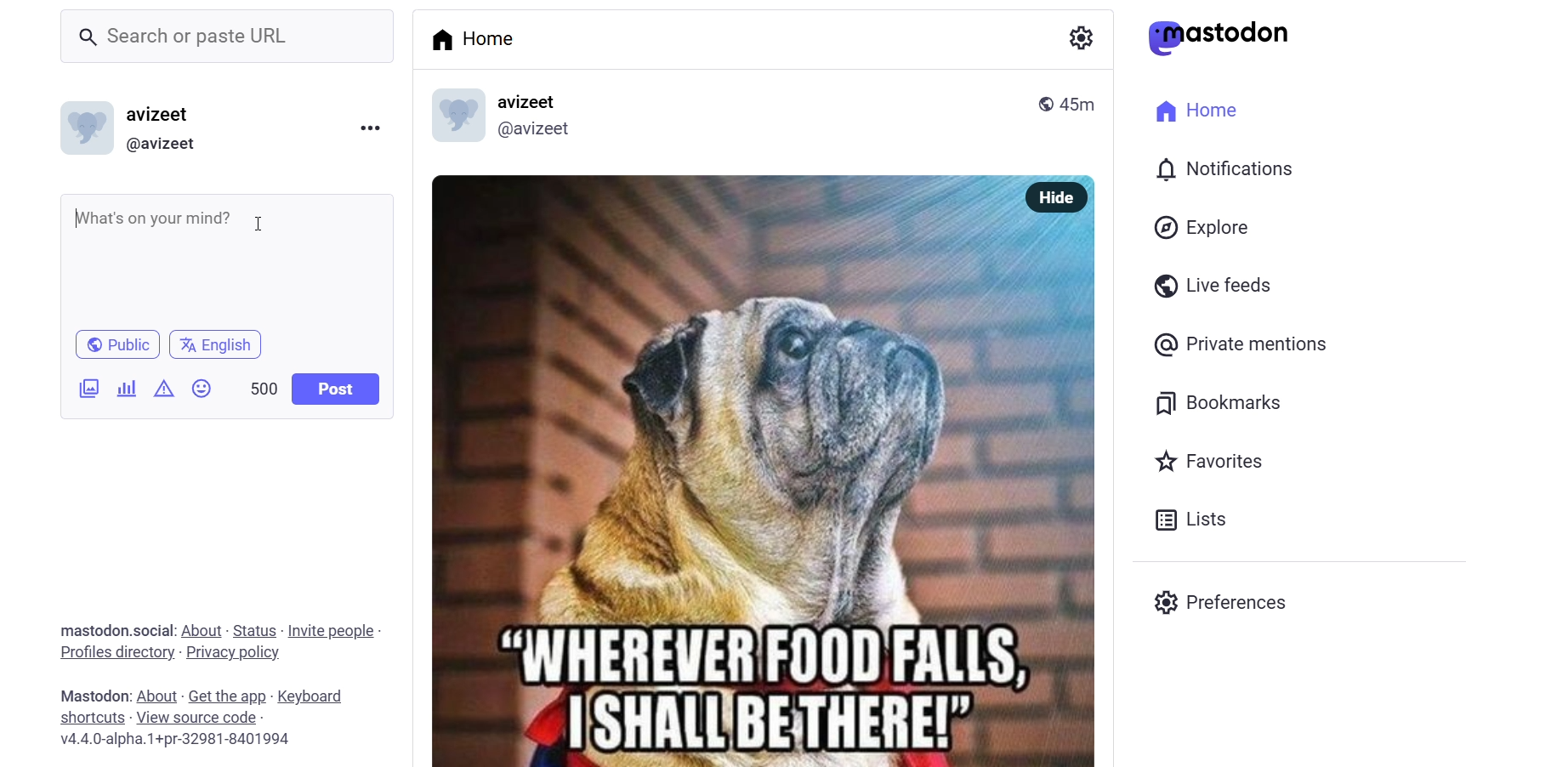 Image resolution: width=1568 pixels, height=767 pixels. What do you see at coordinates (556, 130) in the screenshot?
I see `@avizeet` at bounding box center [556, 130].